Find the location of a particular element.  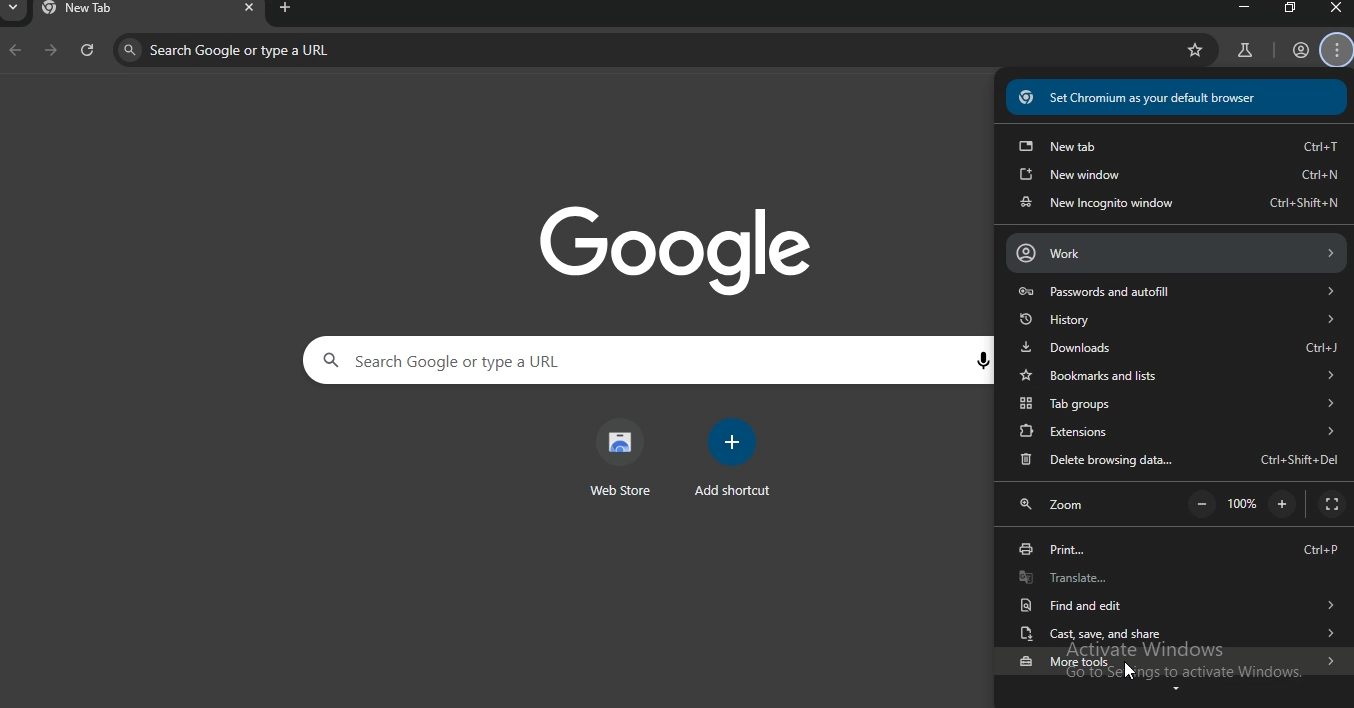

cast save and share is located at coordinates (1174, 635).